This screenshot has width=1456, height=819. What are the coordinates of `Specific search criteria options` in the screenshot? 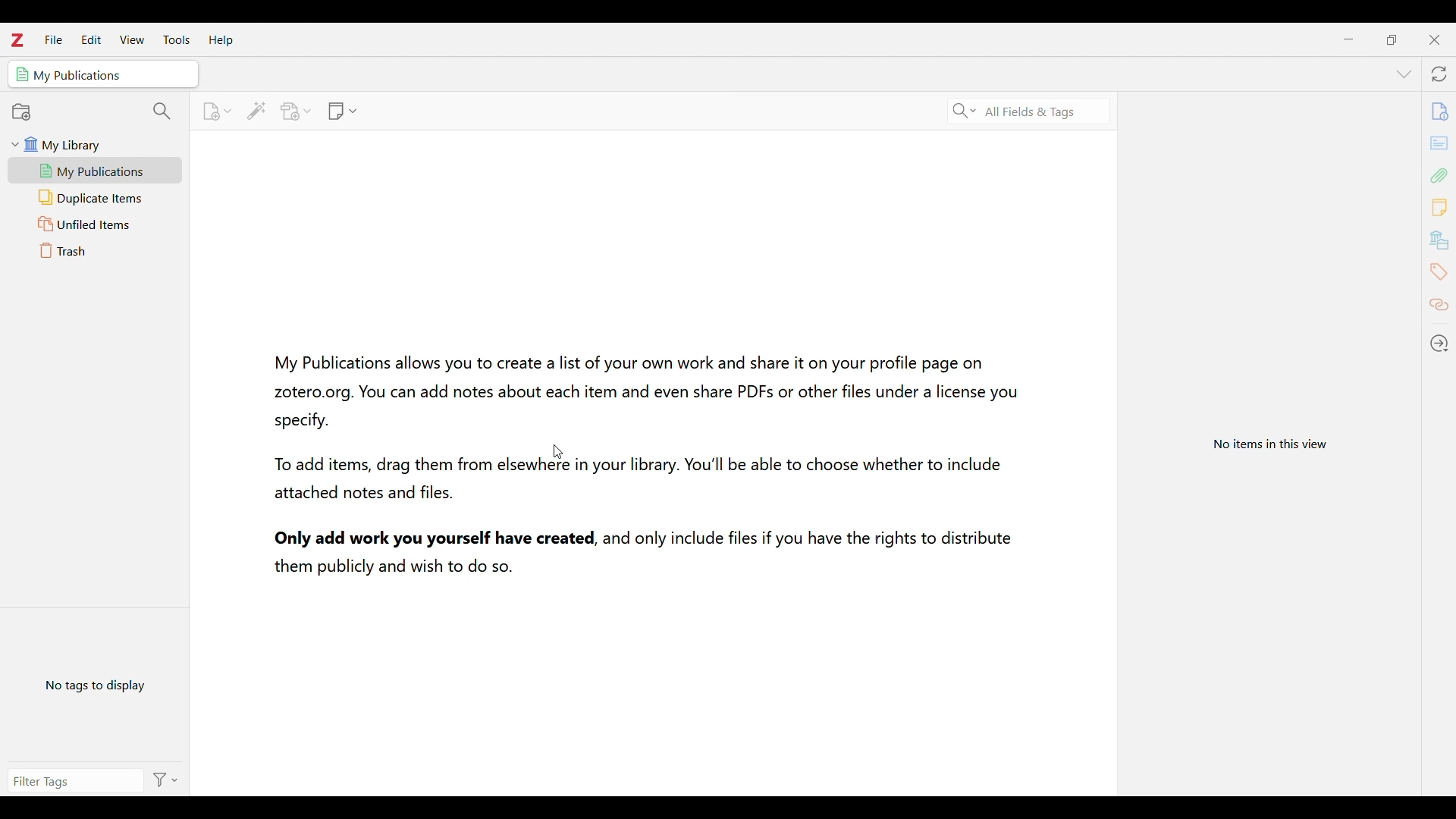 It's located at (965, 111).